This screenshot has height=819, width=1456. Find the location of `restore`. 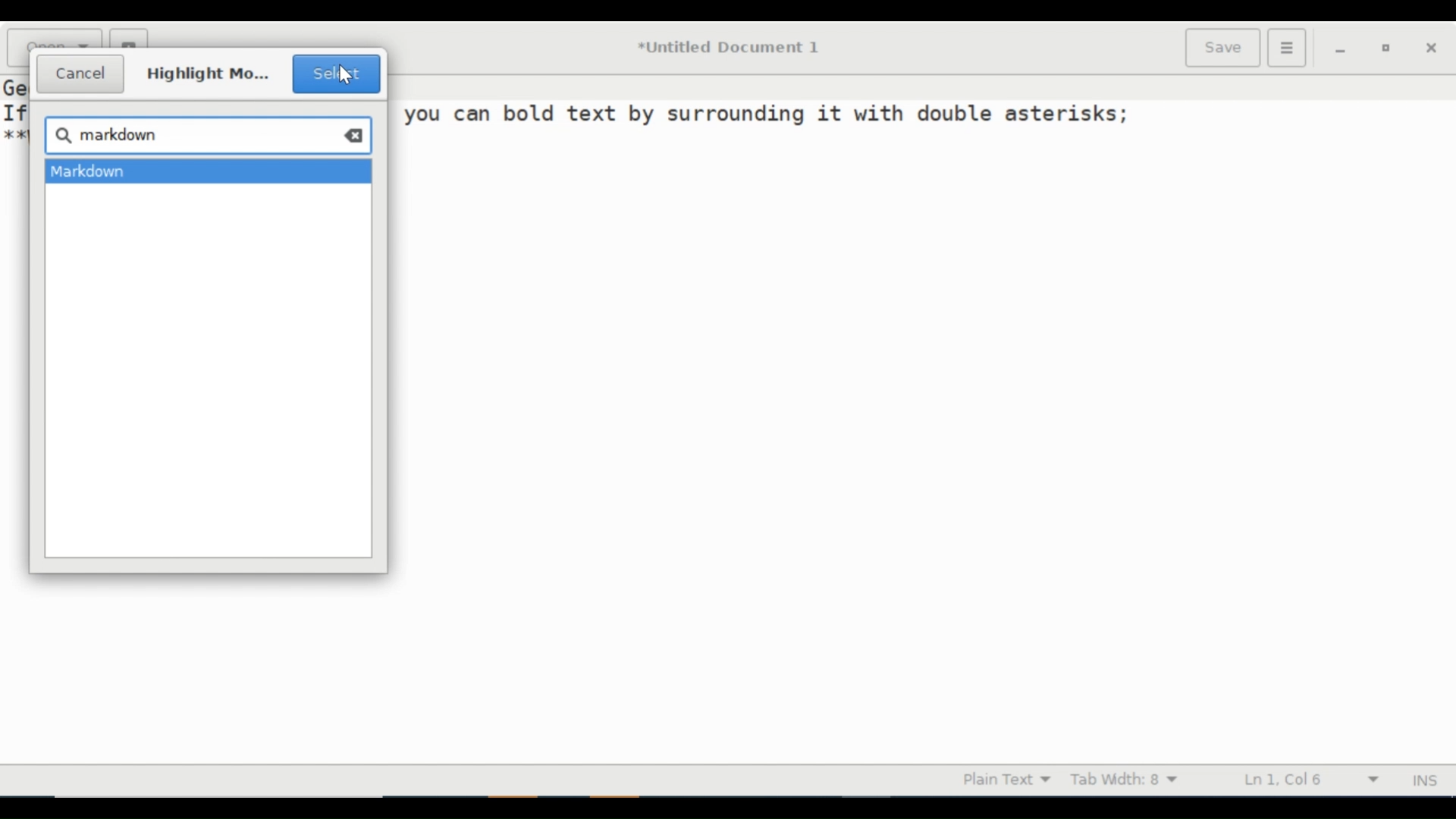

restore is located at coordinates (1391, 48).